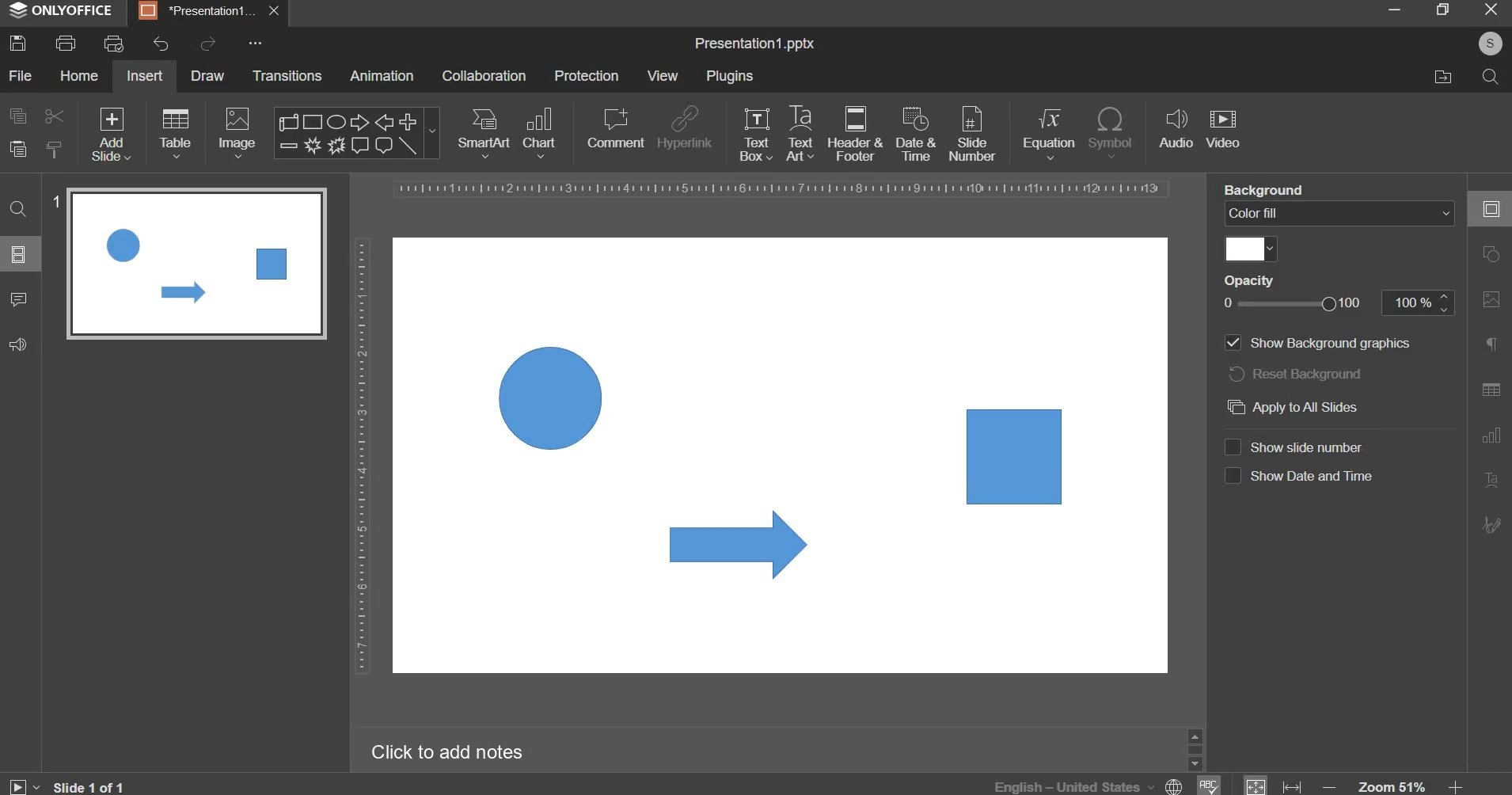 This screenshot has height=795, width=1512. Describe the element at coordinates (1016, 456) in the screenshot. I see `rectangle` at that location.